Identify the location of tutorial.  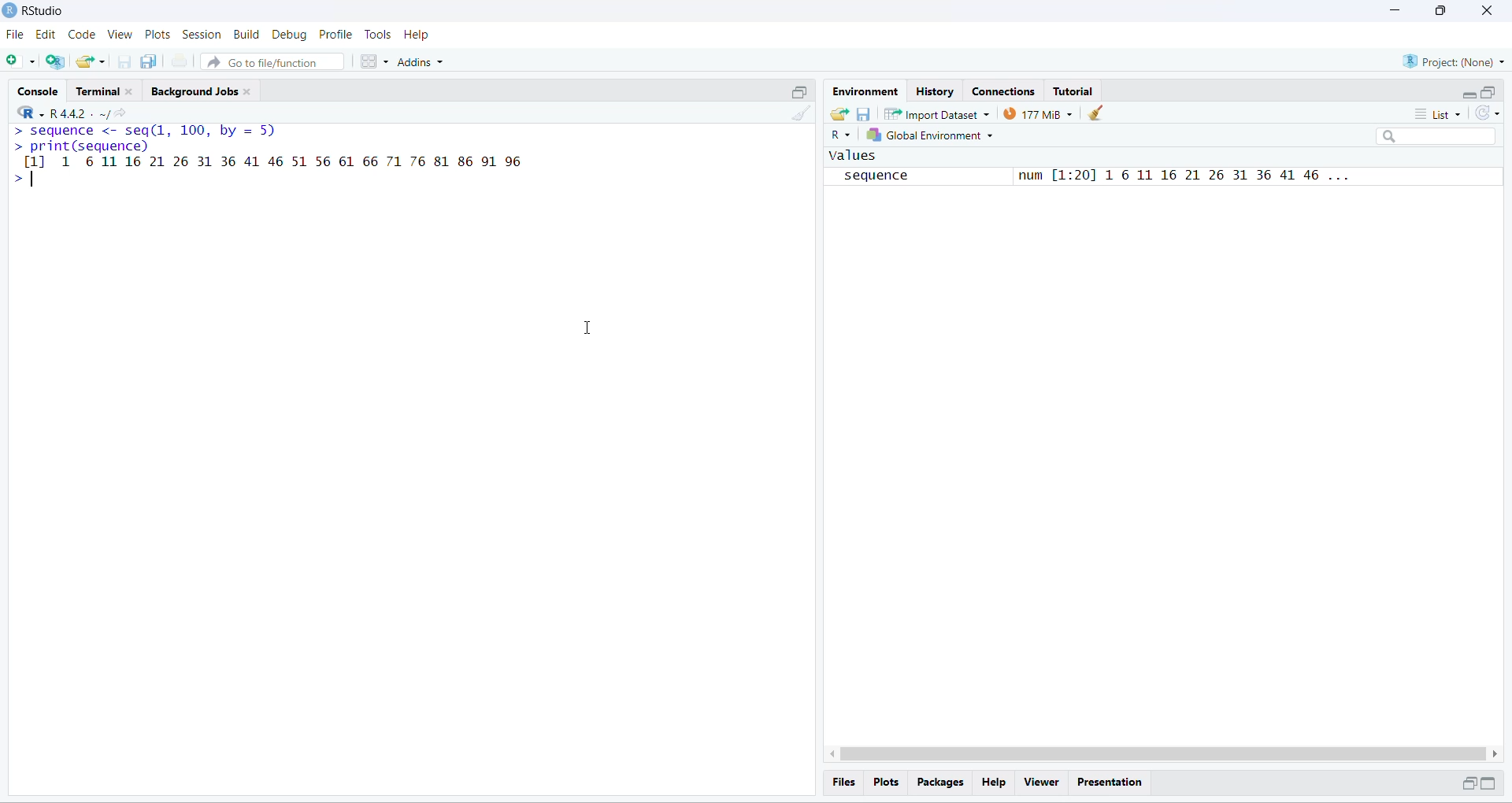
(1074, 92).